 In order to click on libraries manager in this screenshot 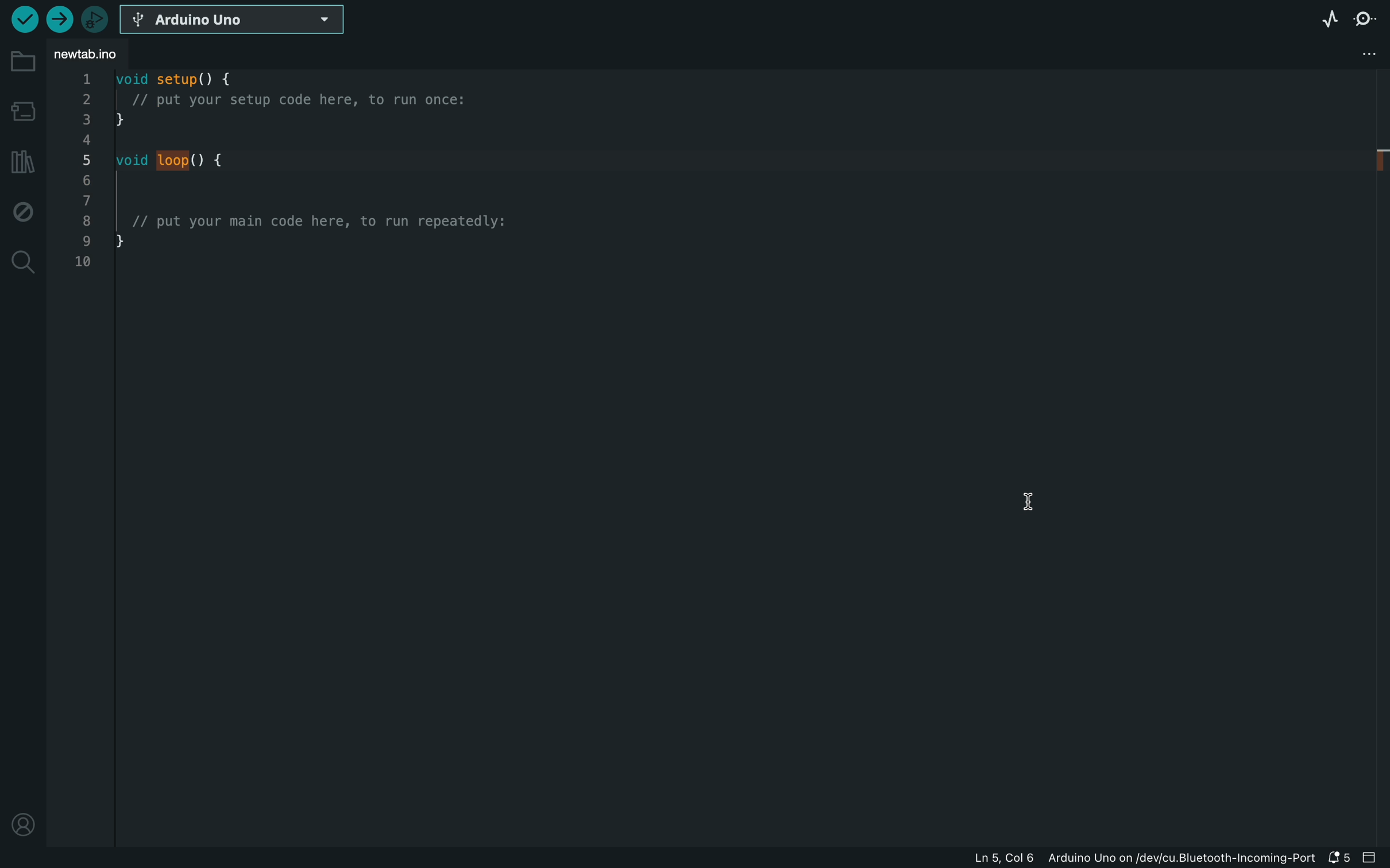, I will do `click(20, 161)`.